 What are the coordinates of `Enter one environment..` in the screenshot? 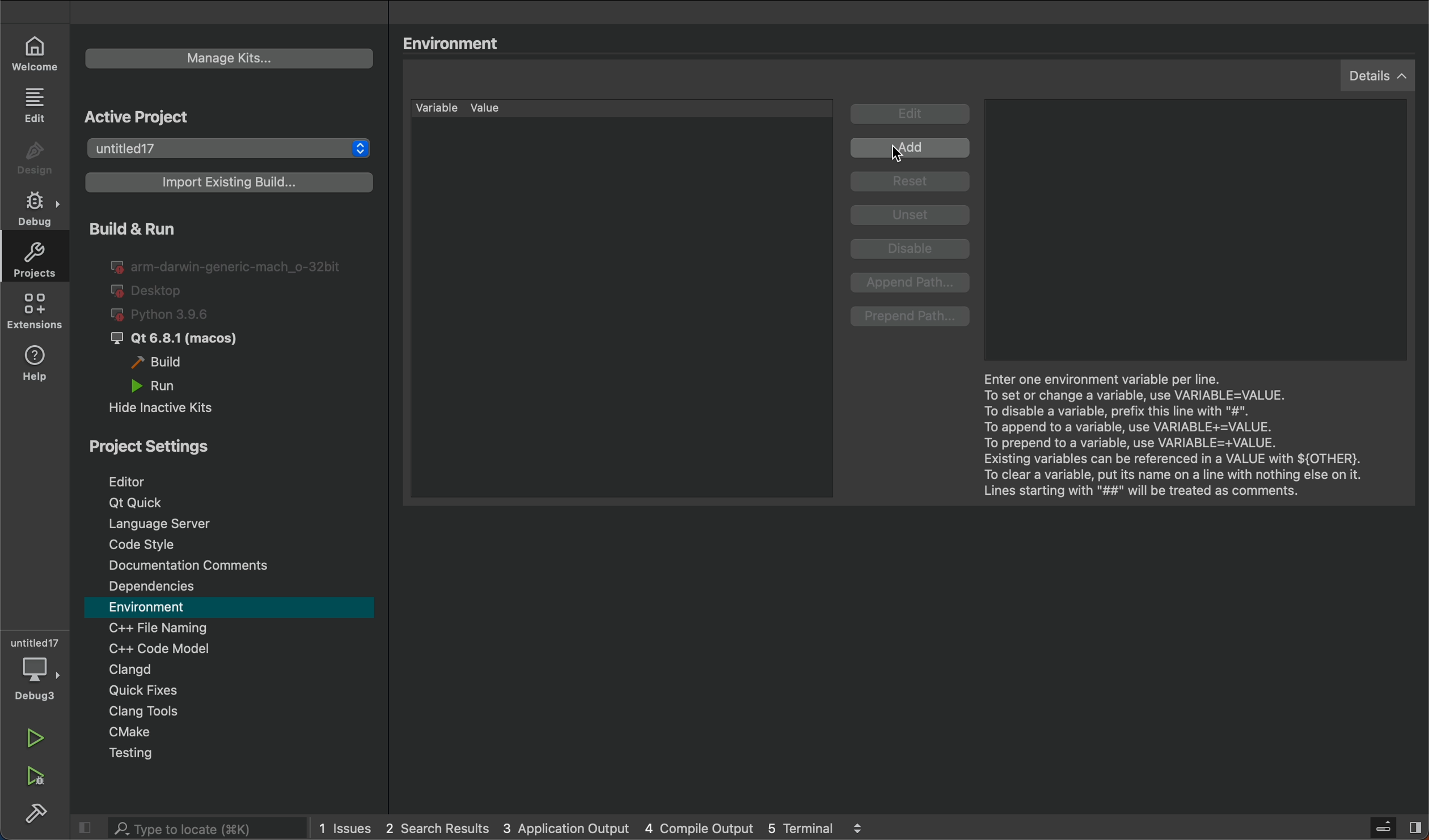 It's located at (1174, 432).